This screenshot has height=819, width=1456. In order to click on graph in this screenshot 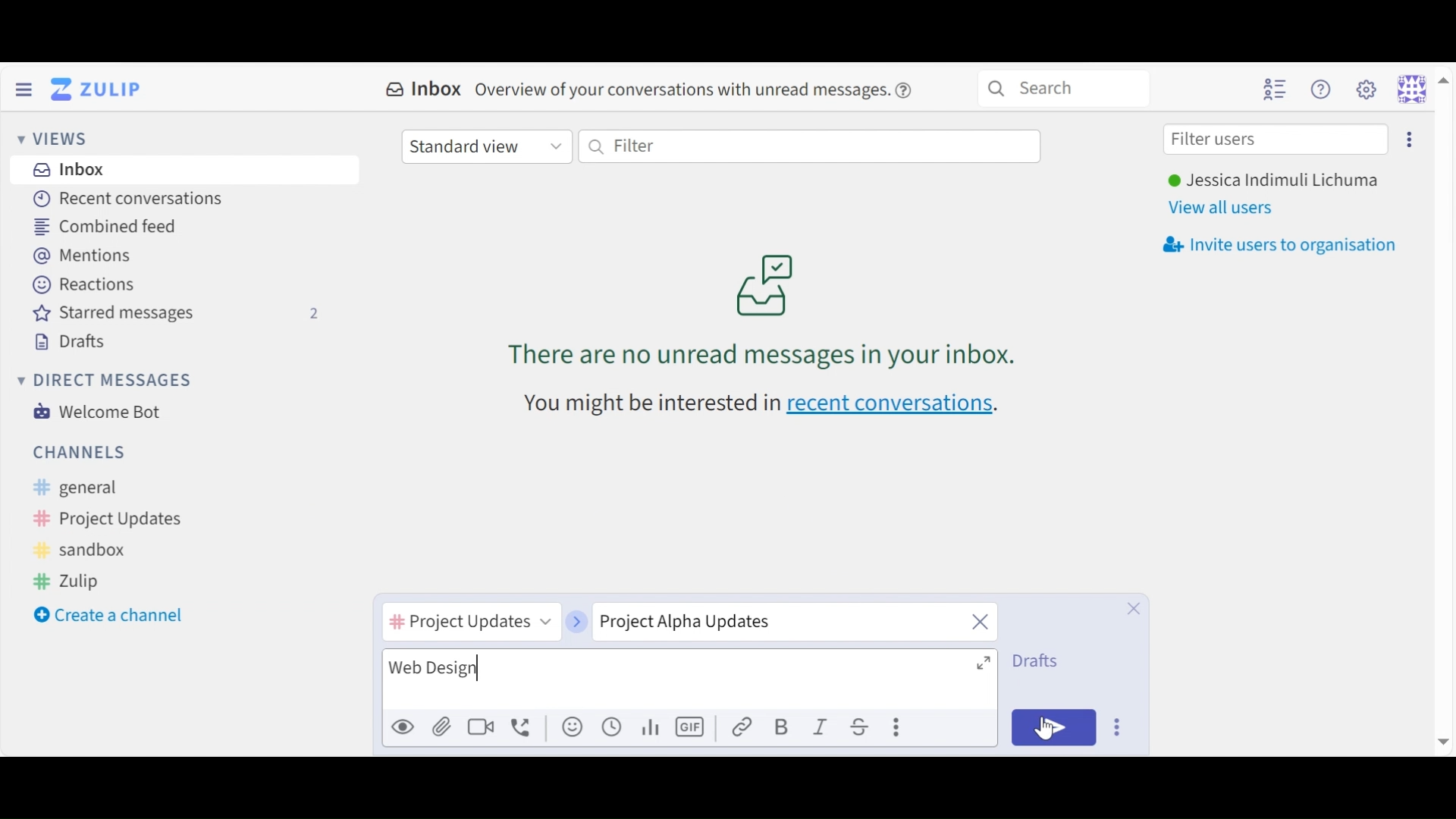, I will do `click(653, 727)`.